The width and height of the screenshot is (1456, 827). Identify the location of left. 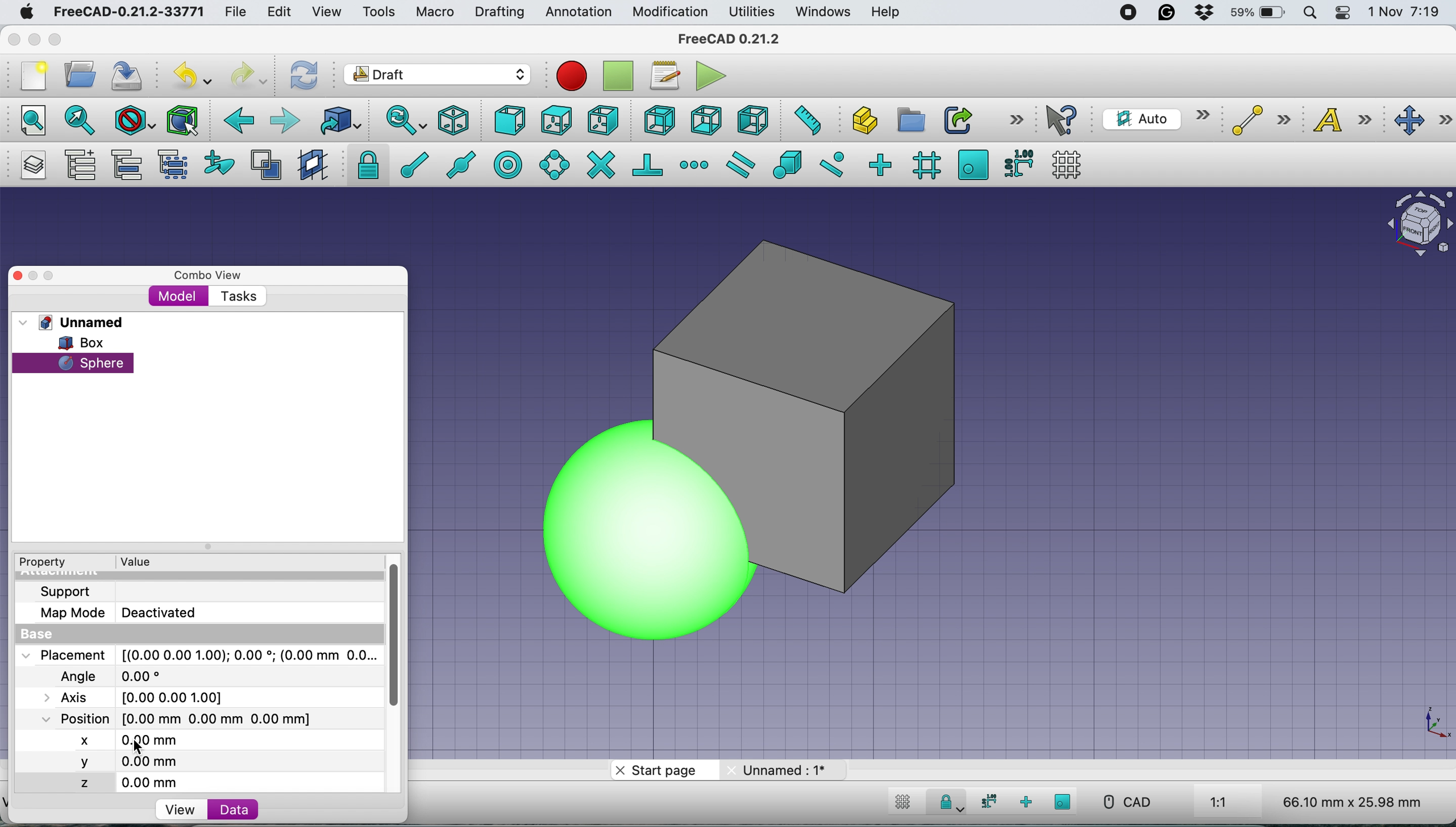
(752, 120).